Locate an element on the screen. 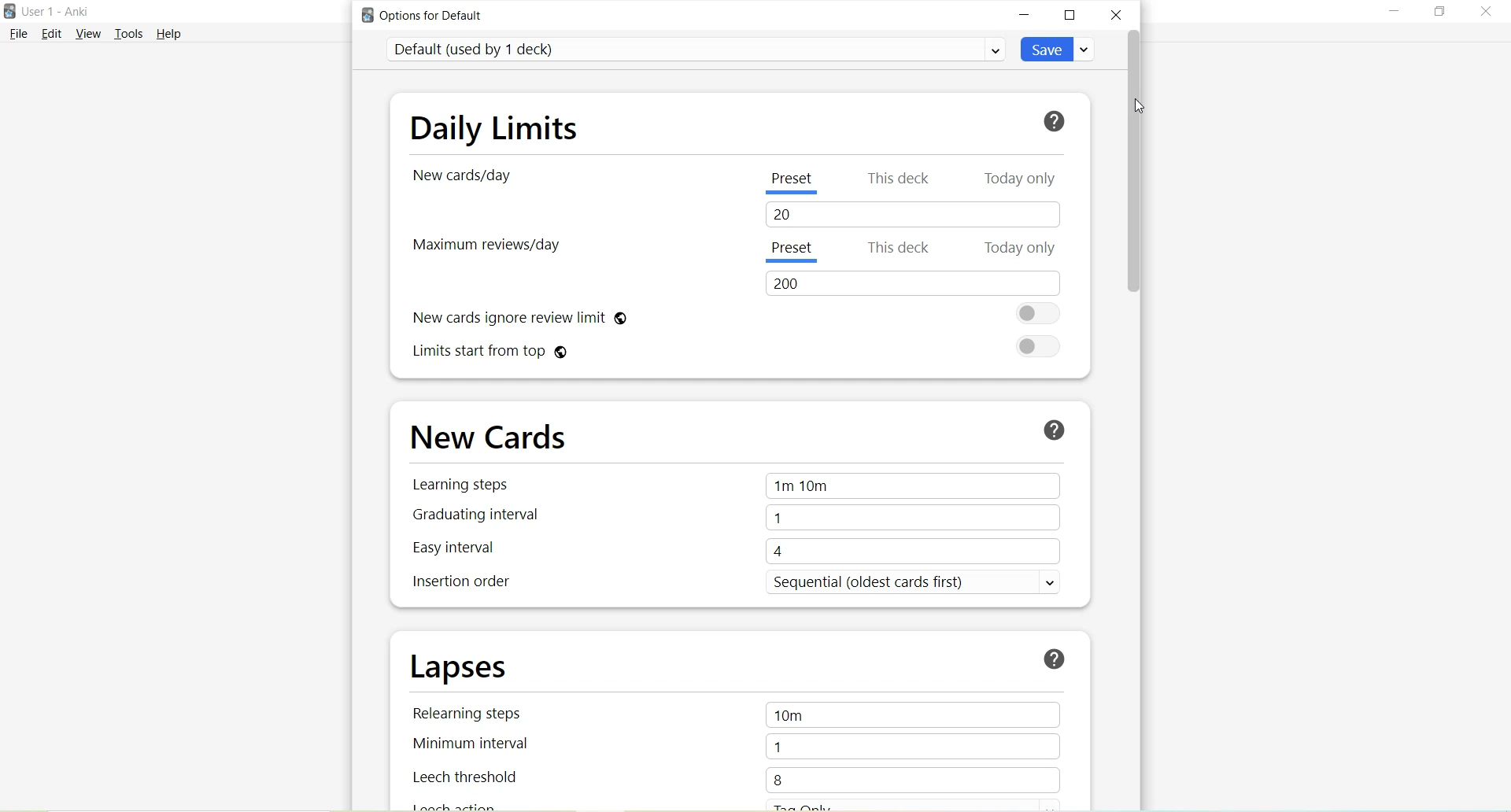 This screenshot has height=812, width=1511. Minimize is located at coordinates (1025, 15).